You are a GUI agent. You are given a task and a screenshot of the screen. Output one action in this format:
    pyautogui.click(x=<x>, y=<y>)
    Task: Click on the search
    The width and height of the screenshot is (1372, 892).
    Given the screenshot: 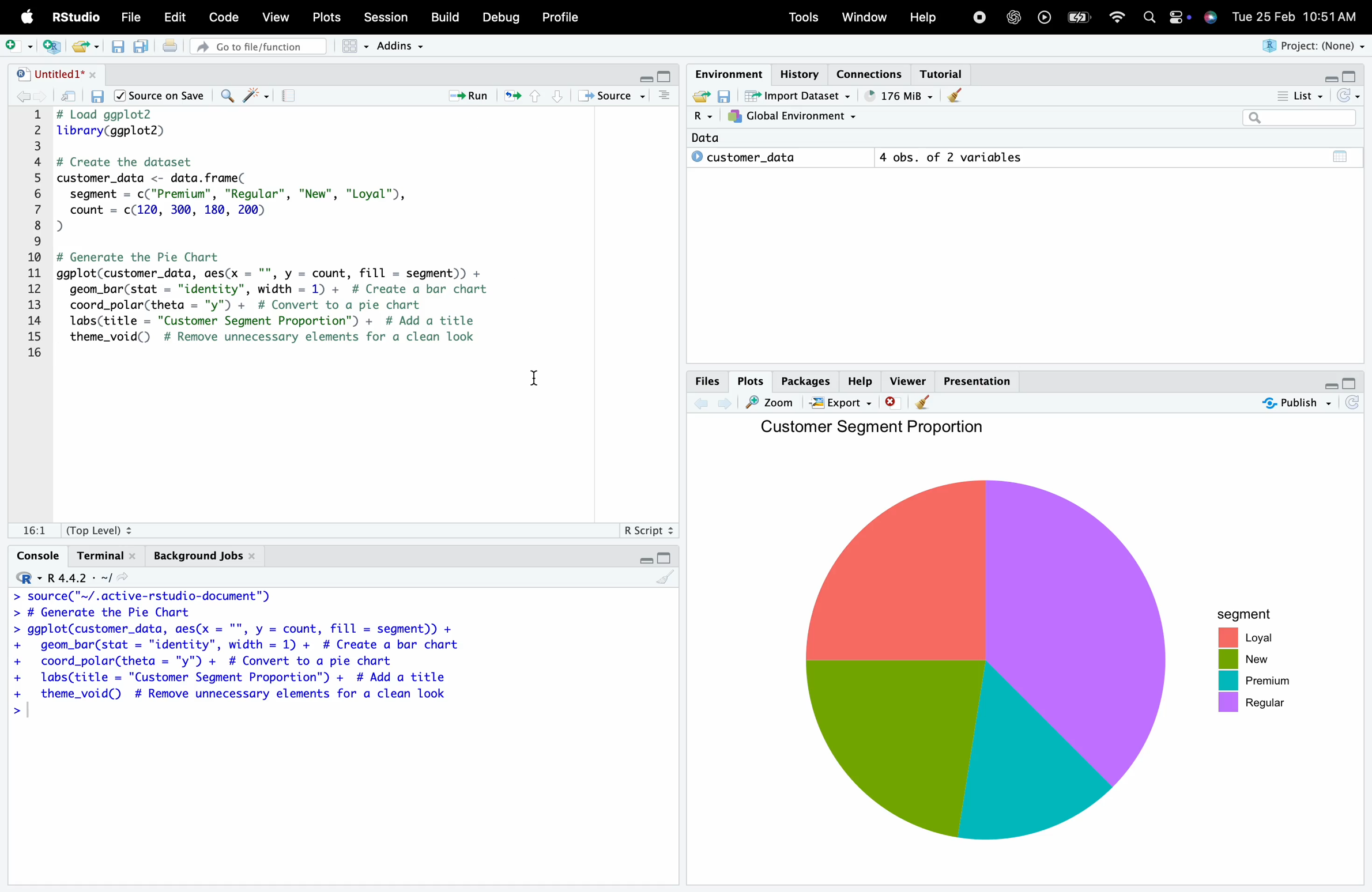 What is the action you would take?
    pyautogui.click(x=1298, y=119)
    